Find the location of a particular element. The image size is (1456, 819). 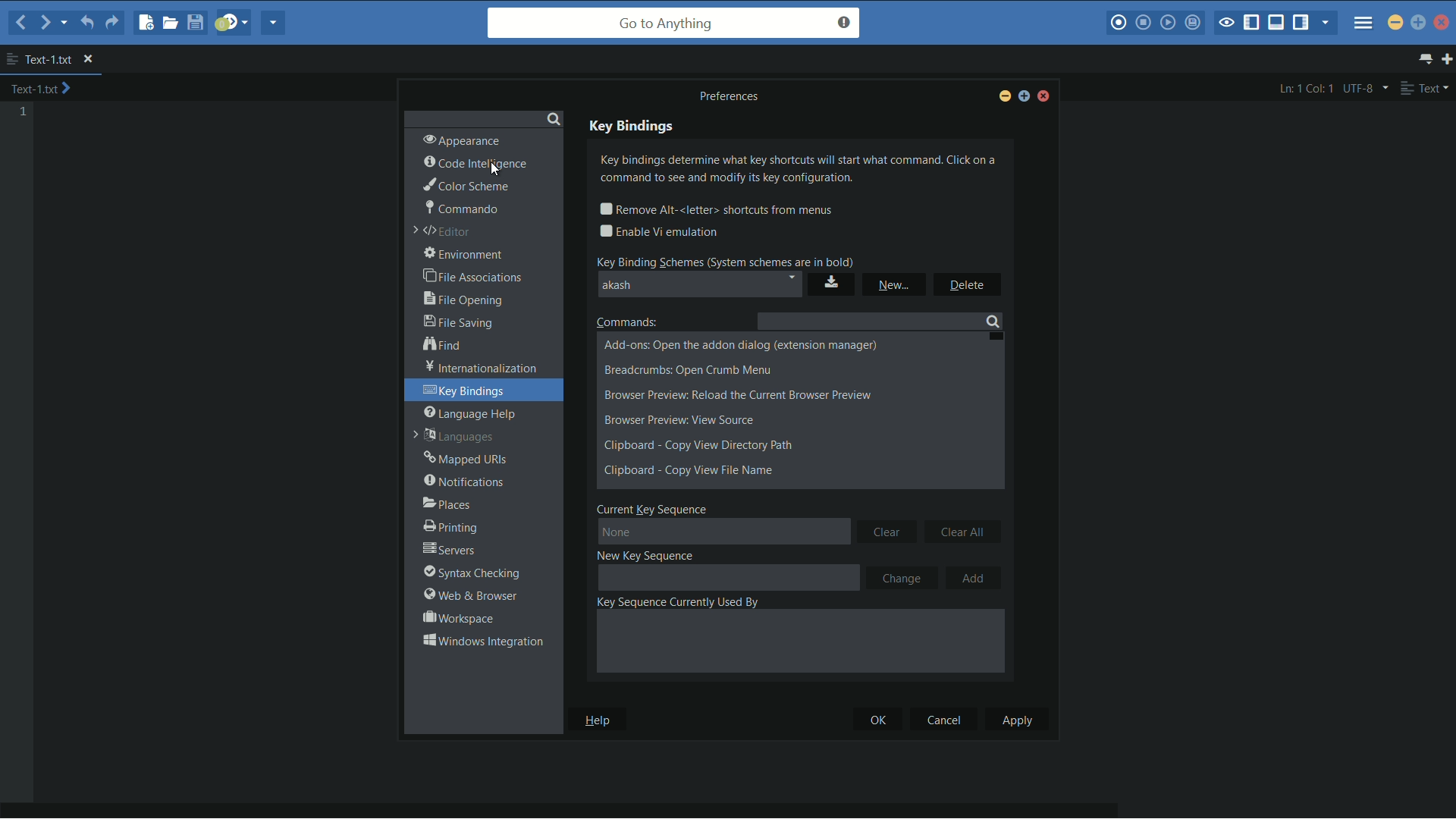

window interactions is located at coordinates (482, 641).